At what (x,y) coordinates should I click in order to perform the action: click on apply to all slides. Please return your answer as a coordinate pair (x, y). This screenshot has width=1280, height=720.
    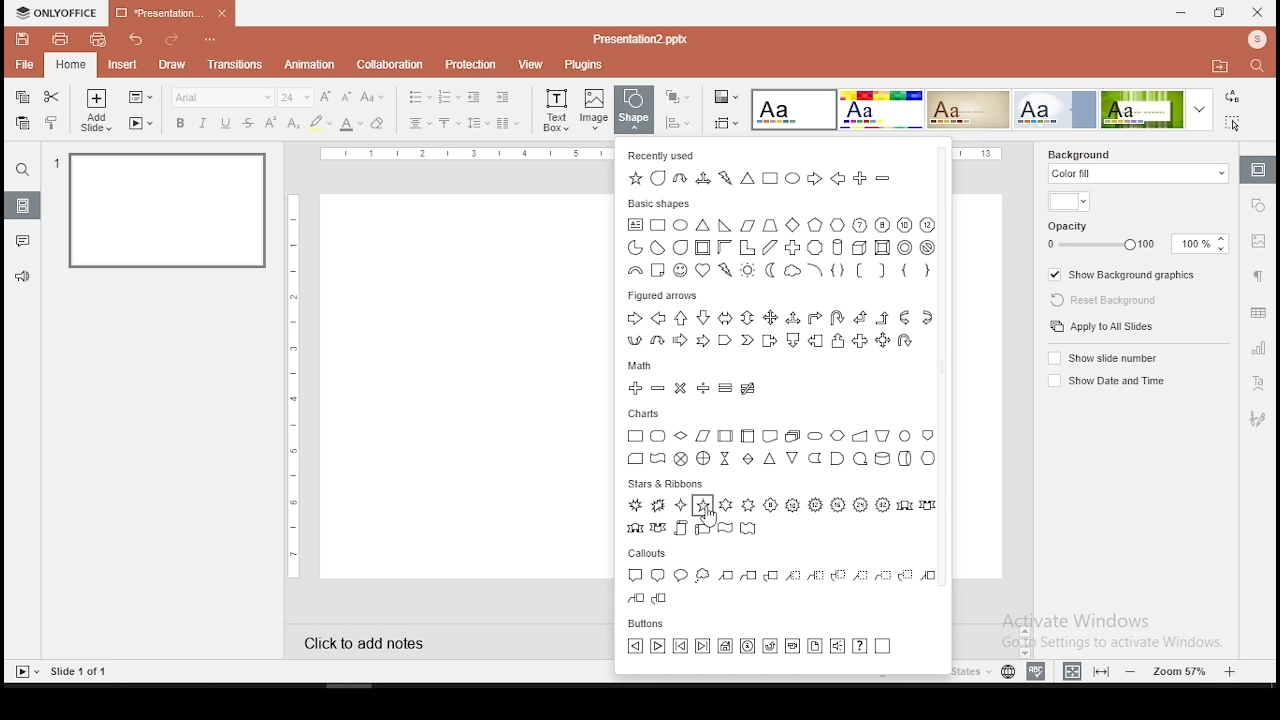
    Looking at the image, I should click on (1104, 326).